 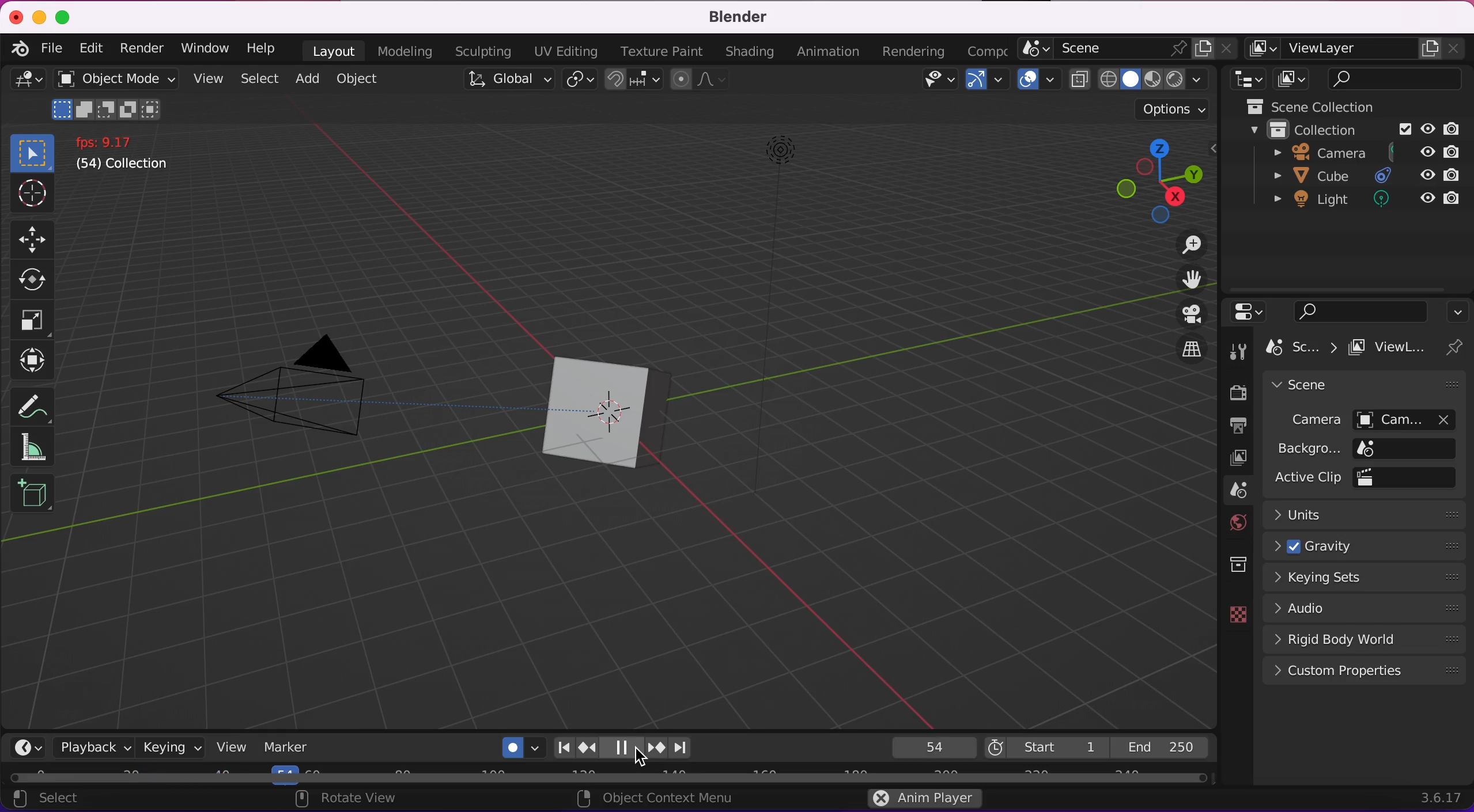 I want to click on horizontal scrollbar, so click(x=543, y=779).